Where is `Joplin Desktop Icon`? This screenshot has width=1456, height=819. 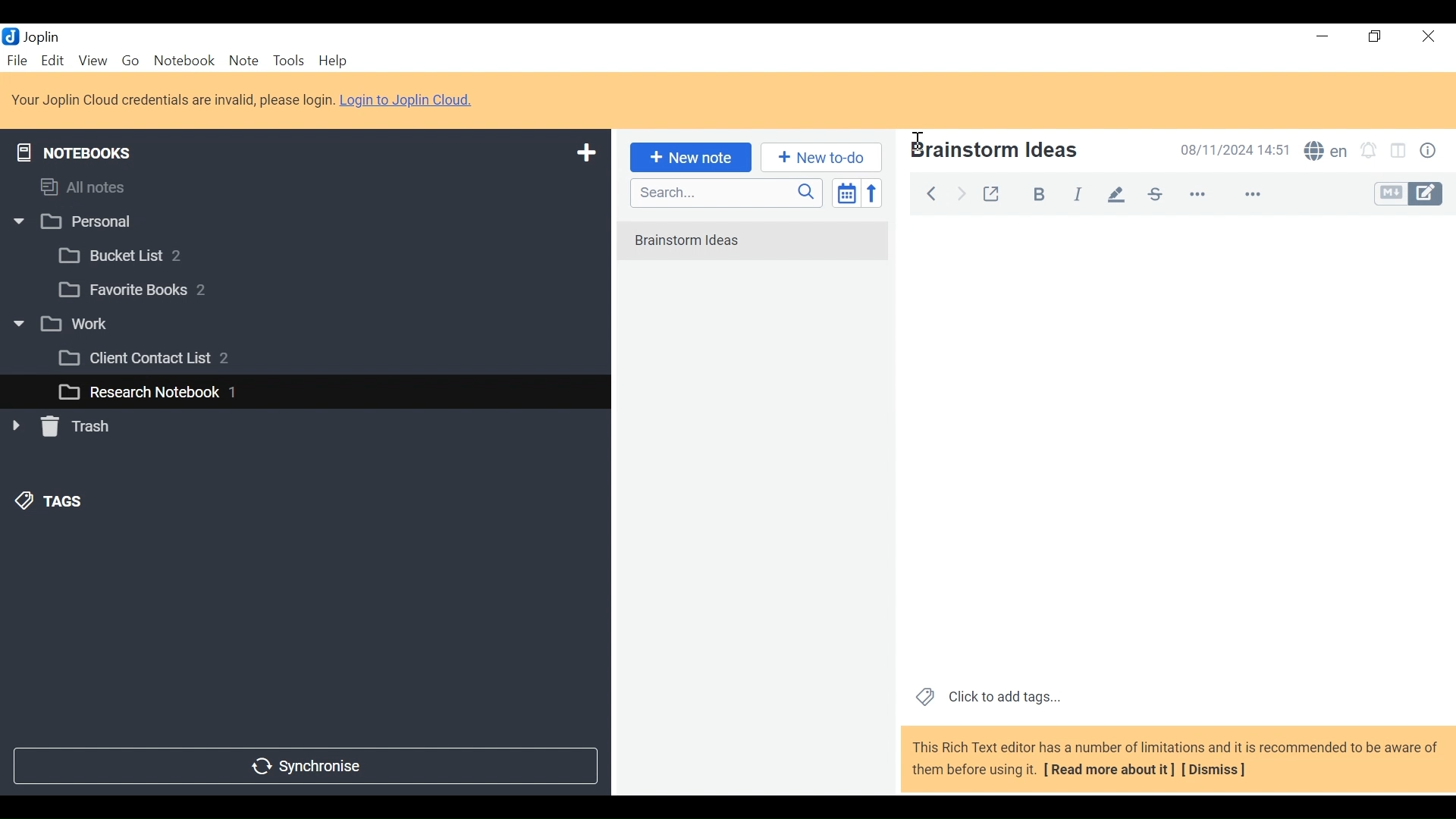
Joplin Desktop Icon is located at coordinates (39, 36).